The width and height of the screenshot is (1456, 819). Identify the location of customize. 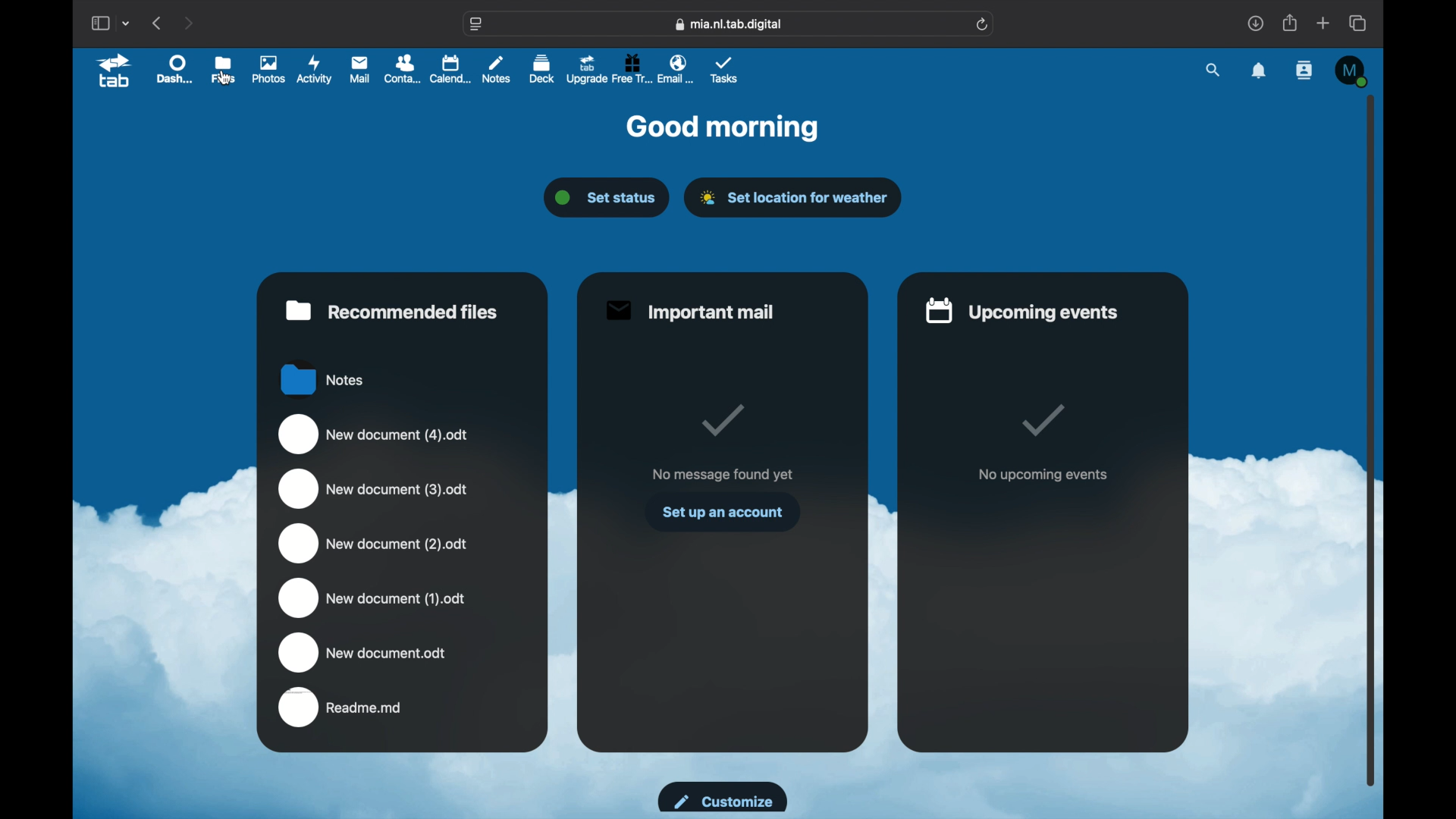
(723, 798).